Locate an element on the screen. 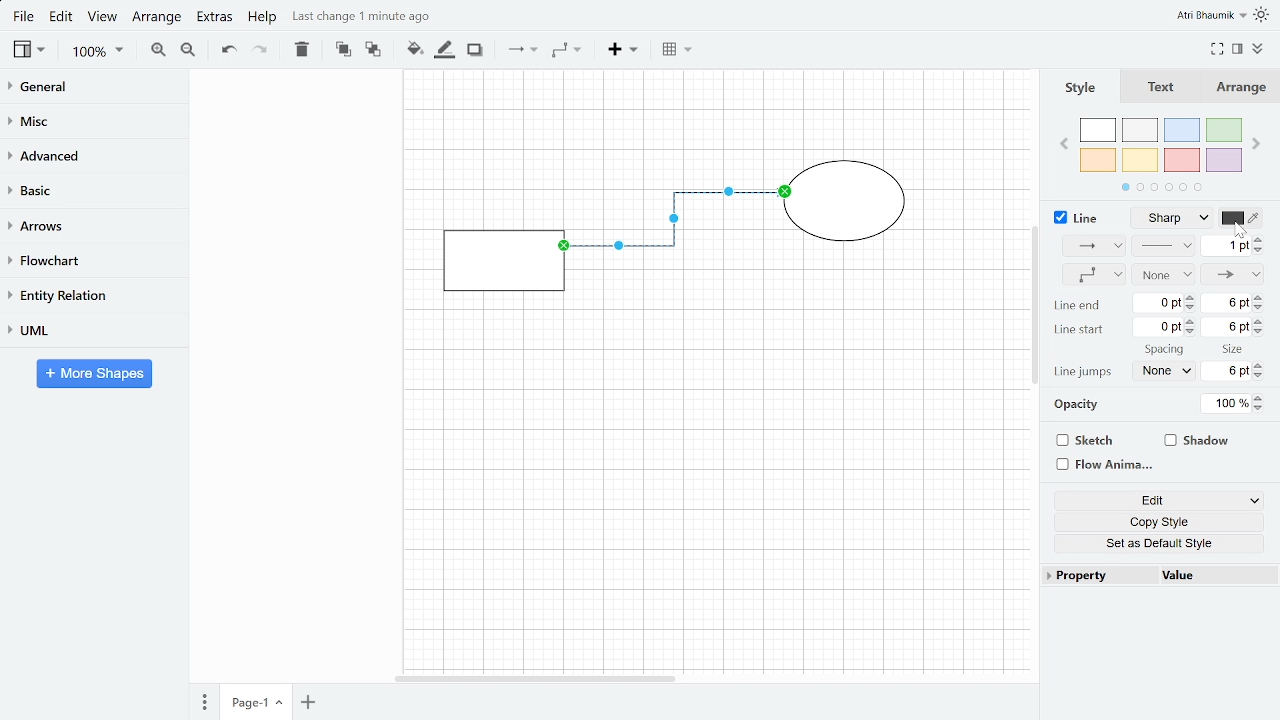 The height and width of the screenshot is (720, 1280). UML is located at coordinates (90, 330).